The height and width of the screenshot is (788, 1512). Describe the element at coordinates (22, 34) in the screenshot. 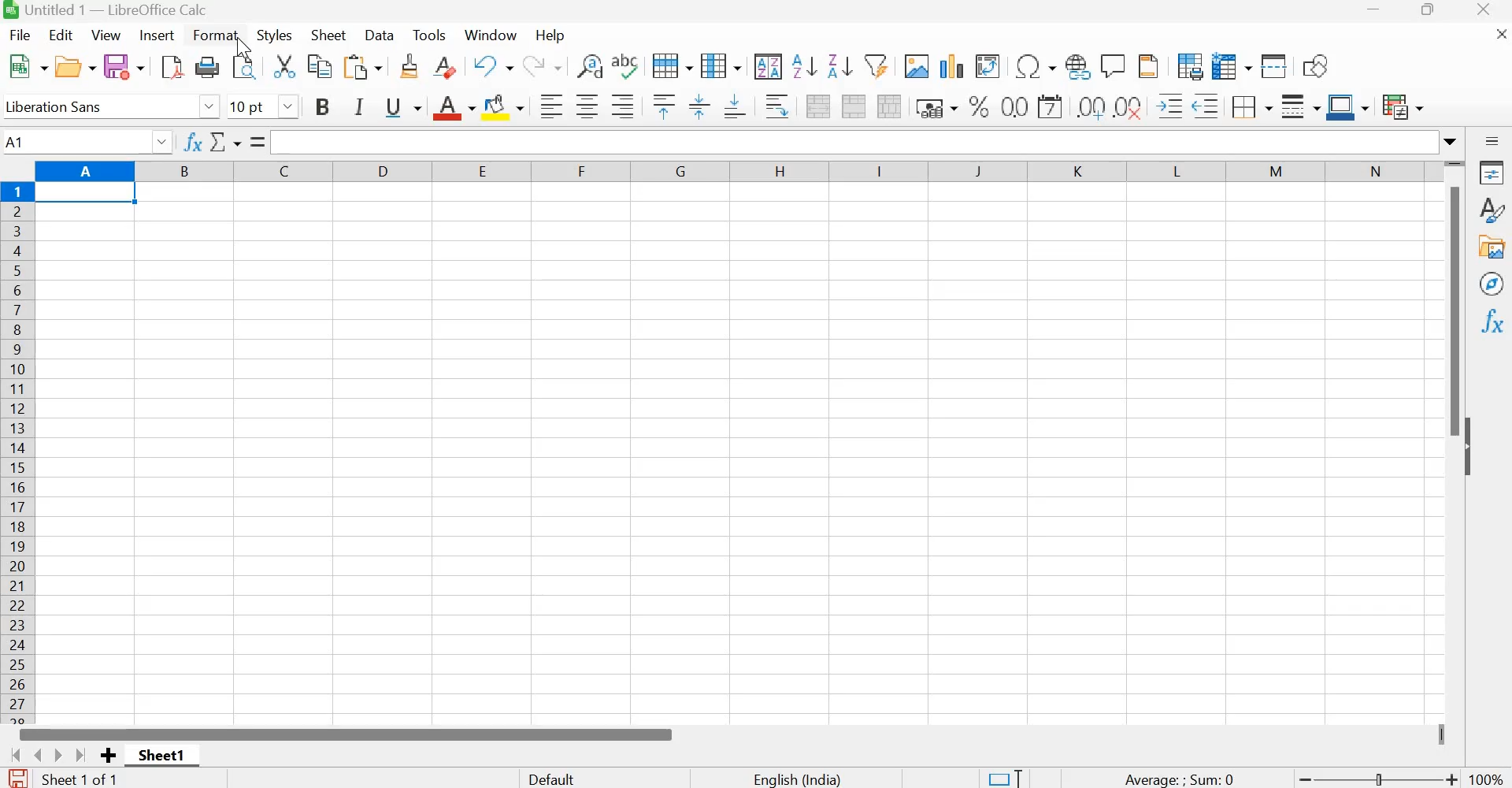

I see `File` at that location.